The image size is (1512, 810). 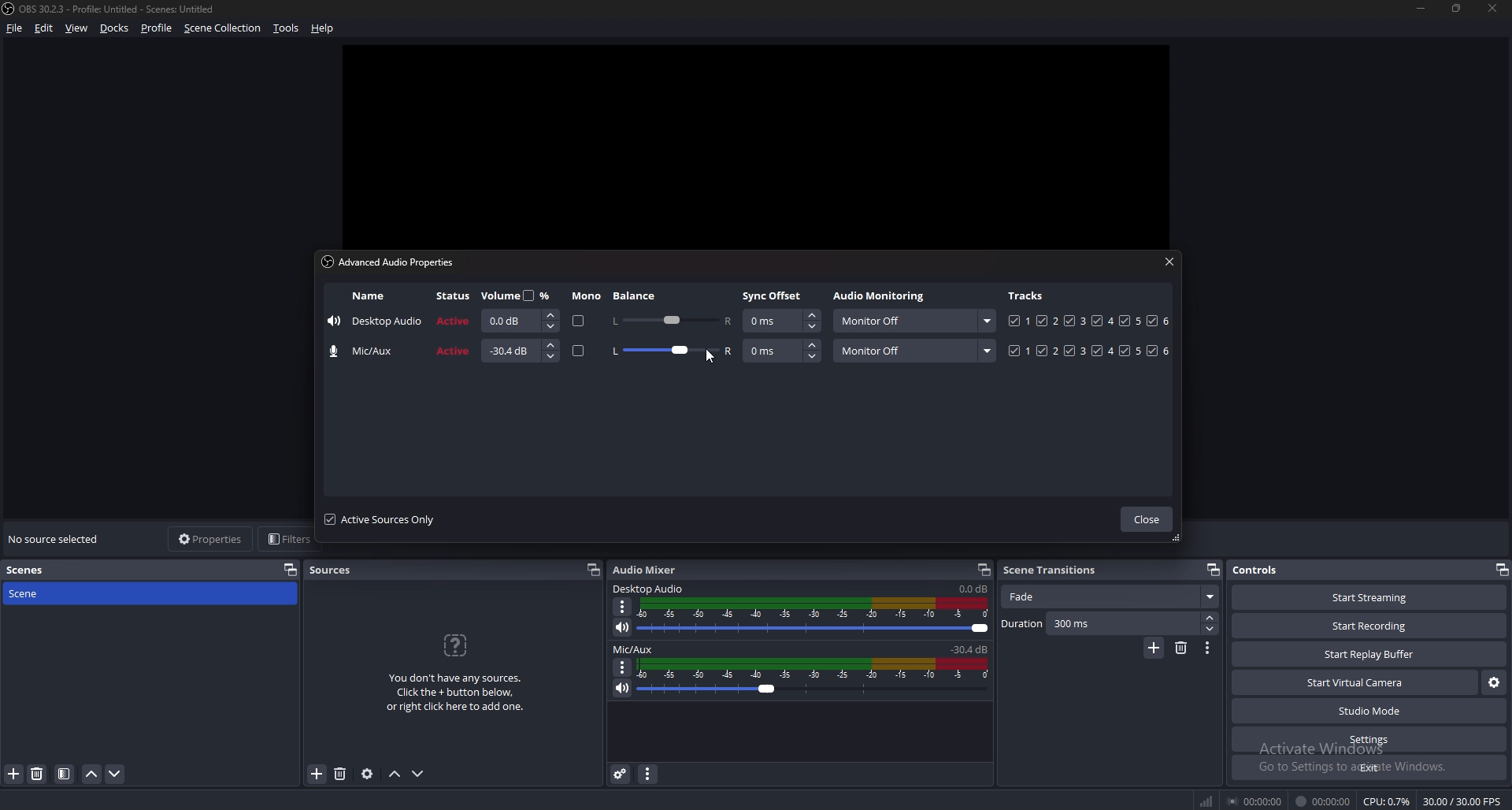 What do you see at coordinates (710, 358) in the screenshot?
I see `cursor` at bounding box center [710, 358].